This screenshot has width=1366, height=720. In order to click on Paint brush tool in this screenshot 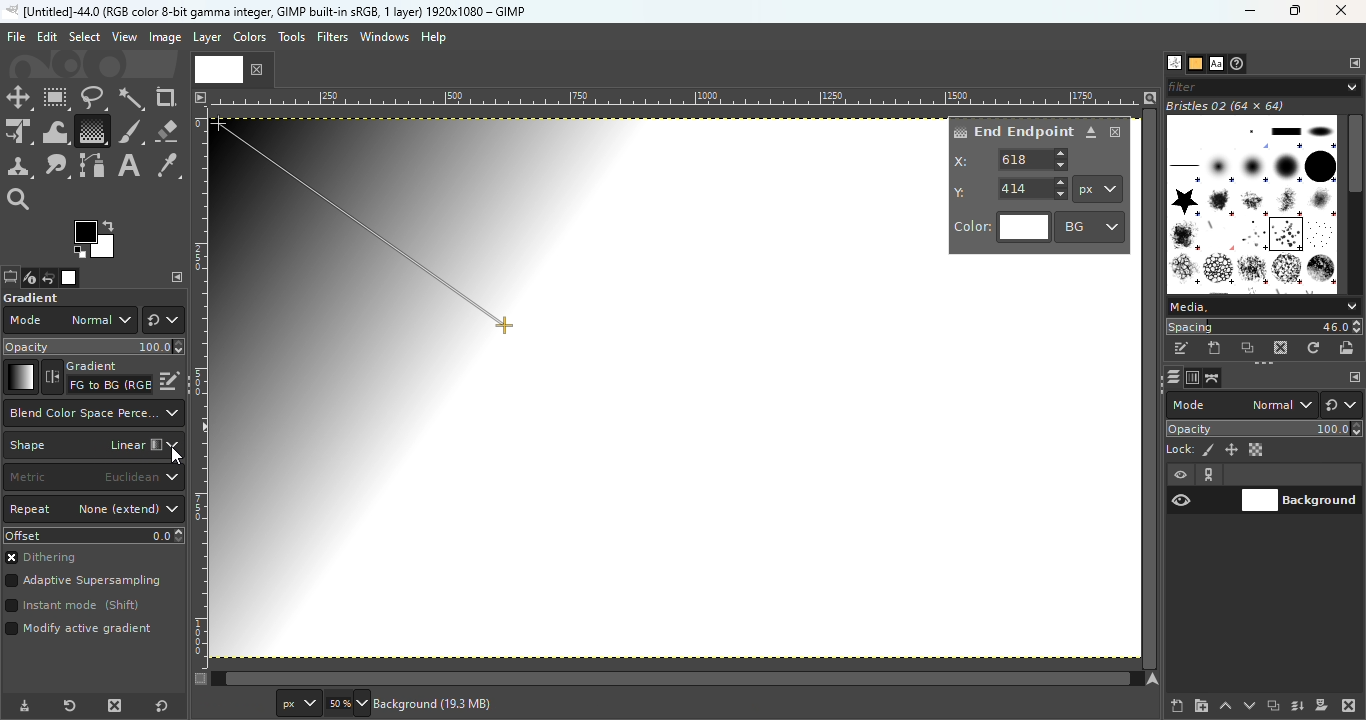, I will do `click(130, 130)`.